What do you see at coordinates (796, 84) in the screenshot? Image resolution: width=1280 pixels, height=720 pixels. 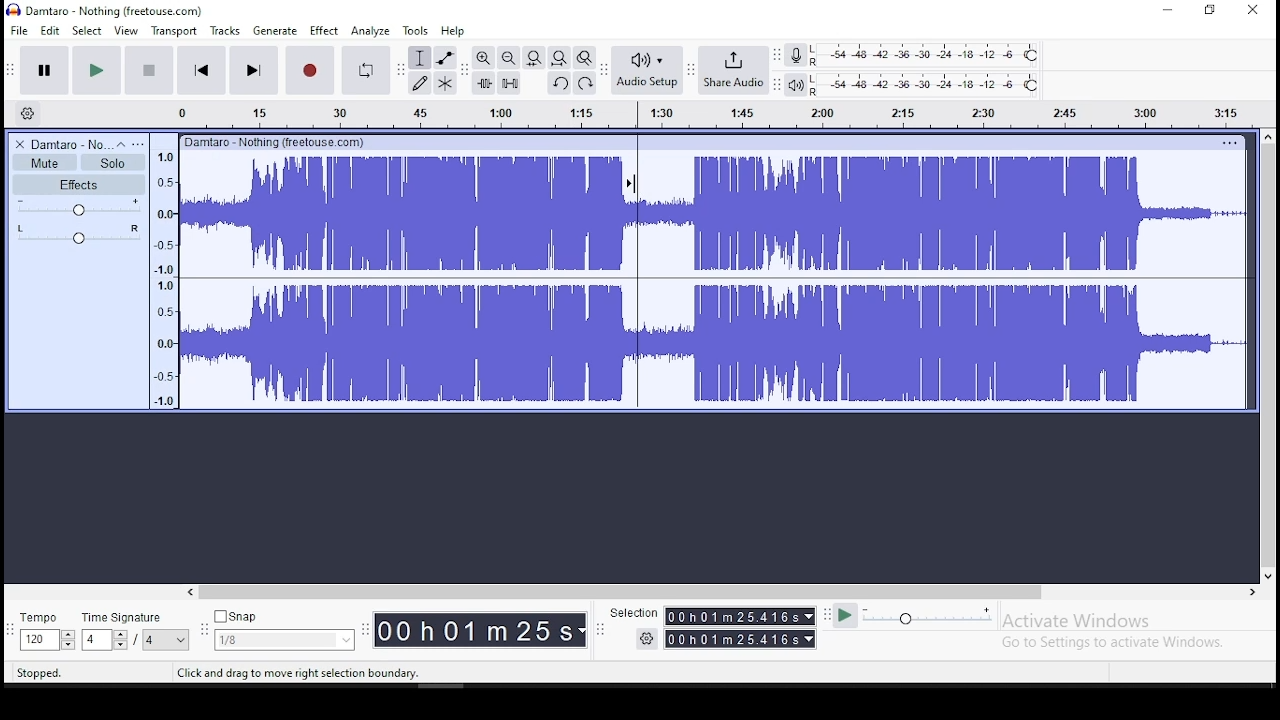 I see `playback meter` at bounding box center [796, 84].